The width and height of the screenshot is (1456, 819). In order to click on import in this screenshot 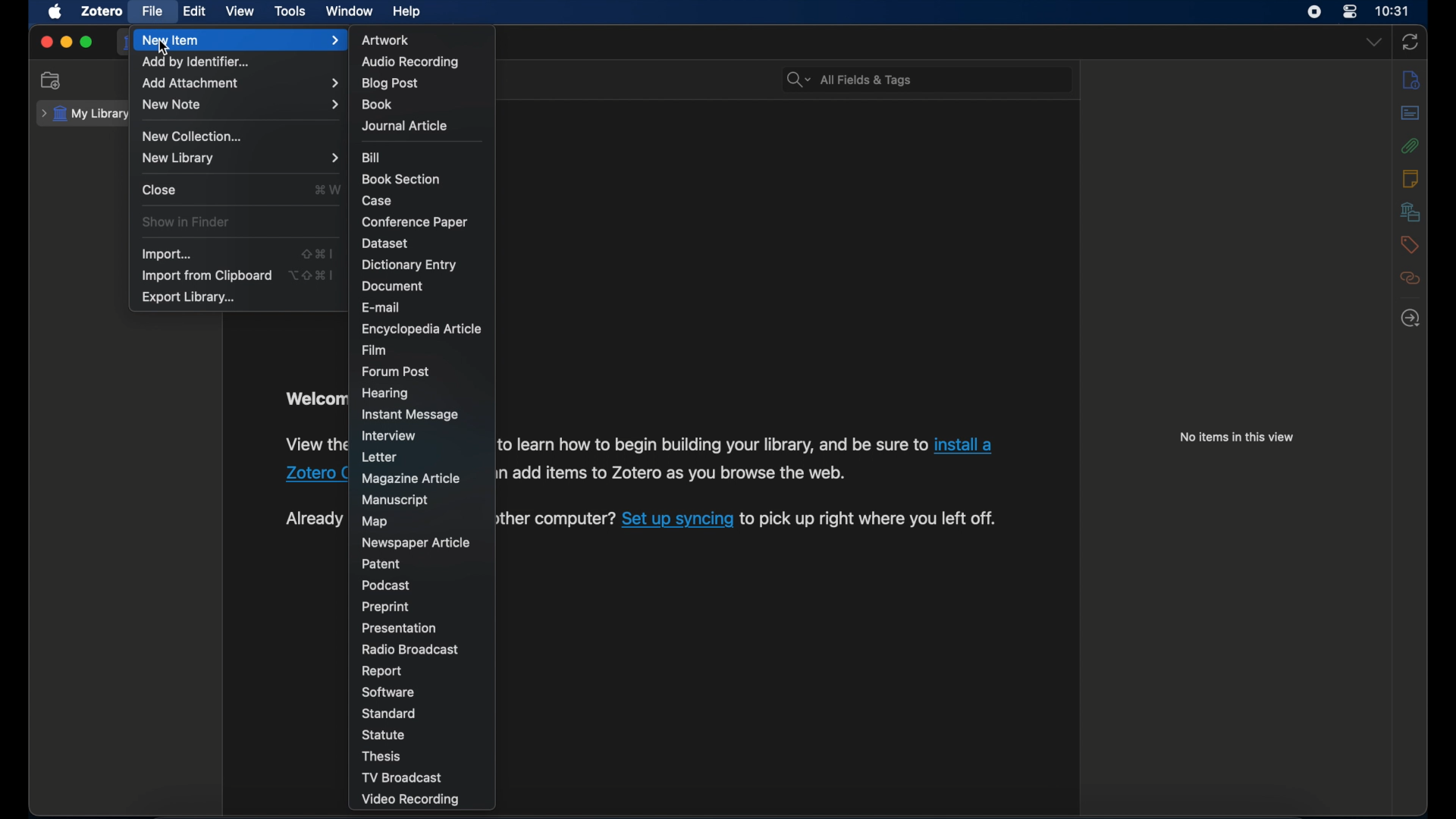, I will do `click(167, 254)`.